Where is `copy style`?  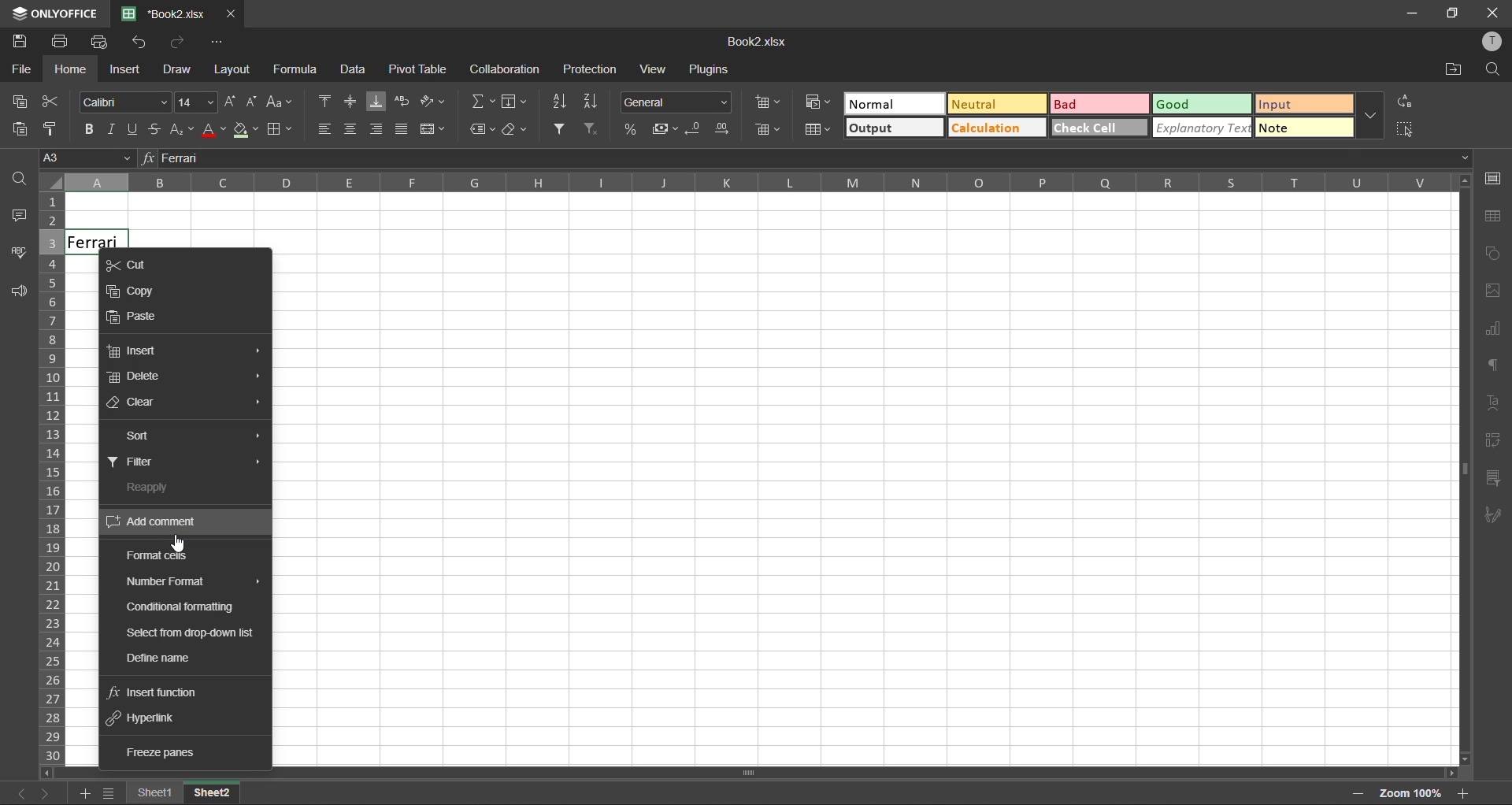
copy style is located at coordinates (52, 131).